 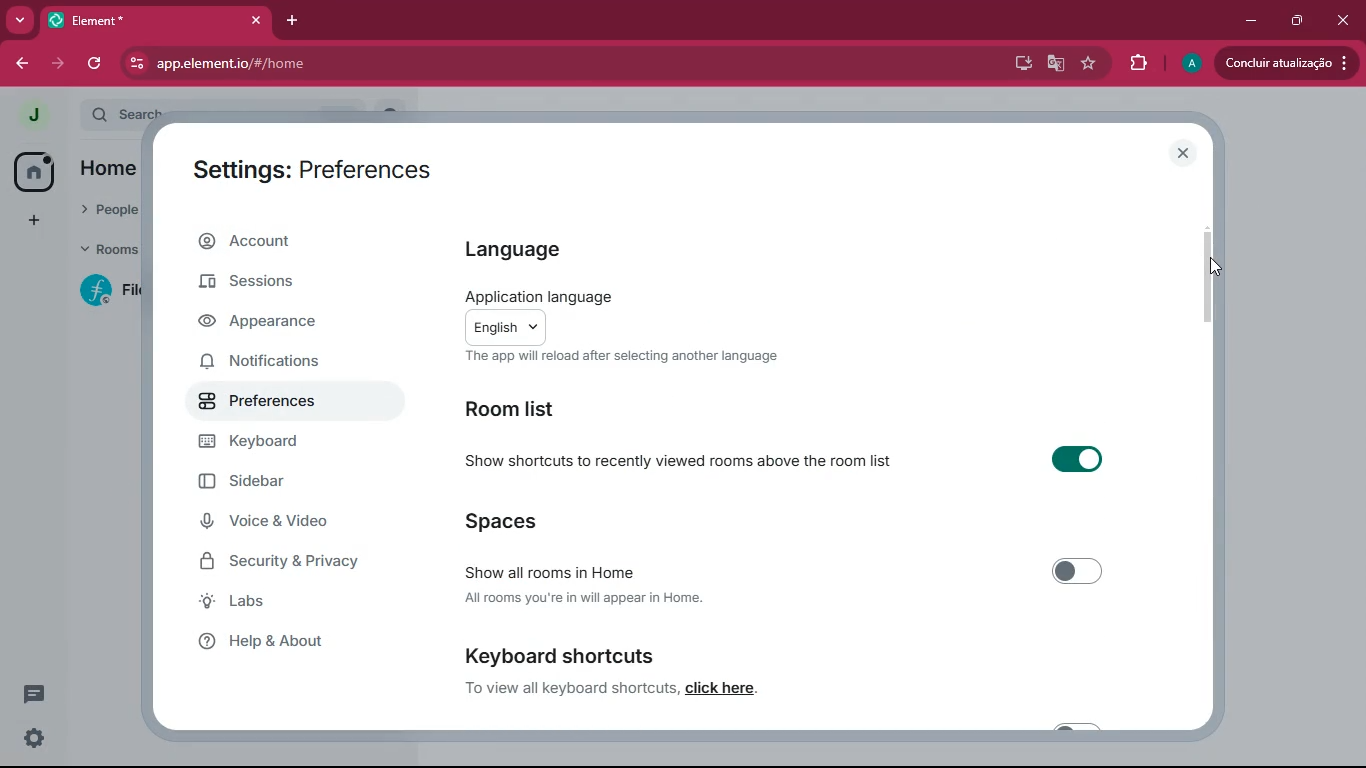 What do you see at coordinates (355, 65) in the screenshot?
I see `app.element.io/#/home` at bounding box center [355, 65].